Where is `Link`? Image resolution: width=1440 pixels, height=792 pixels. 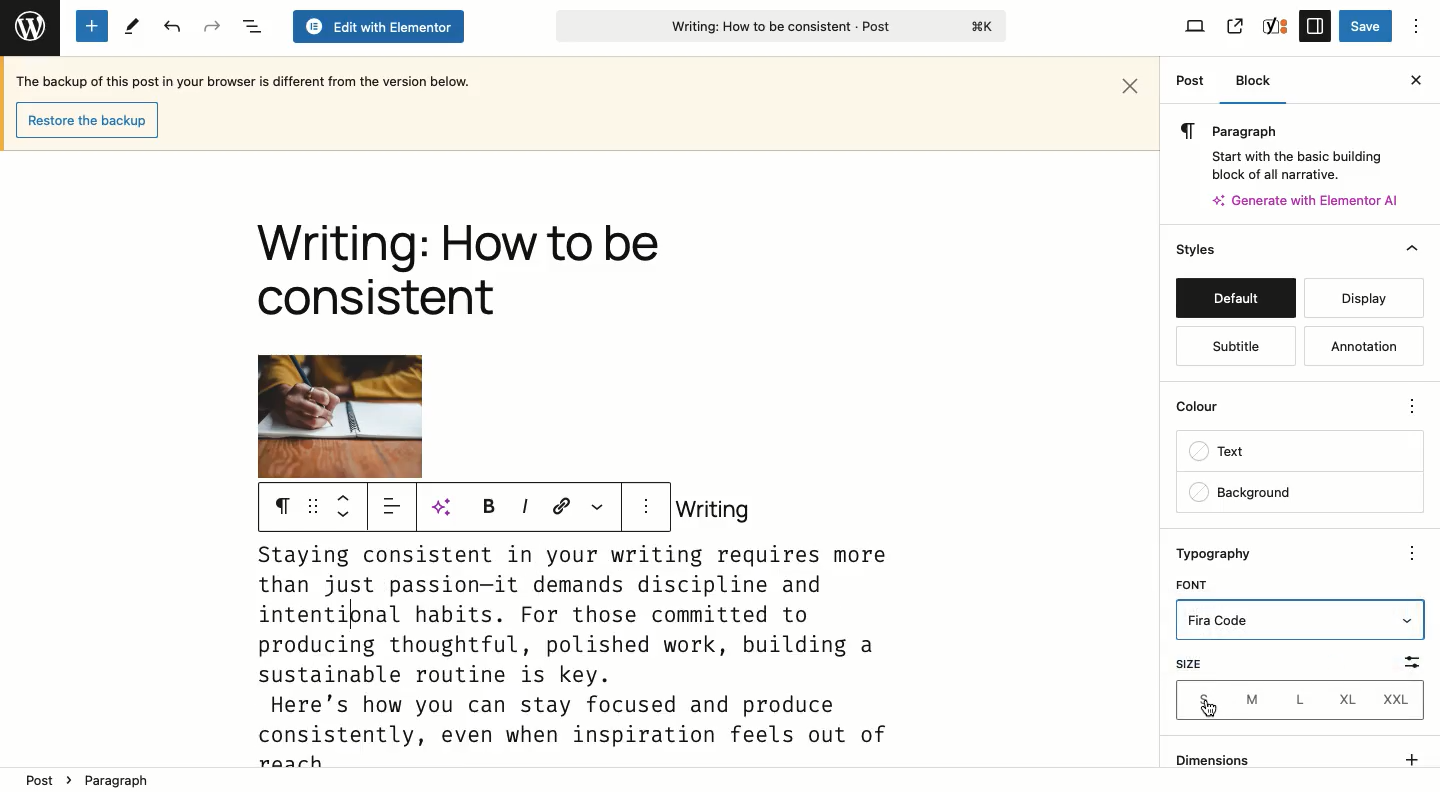
Link is located at coordinates (562, 505).